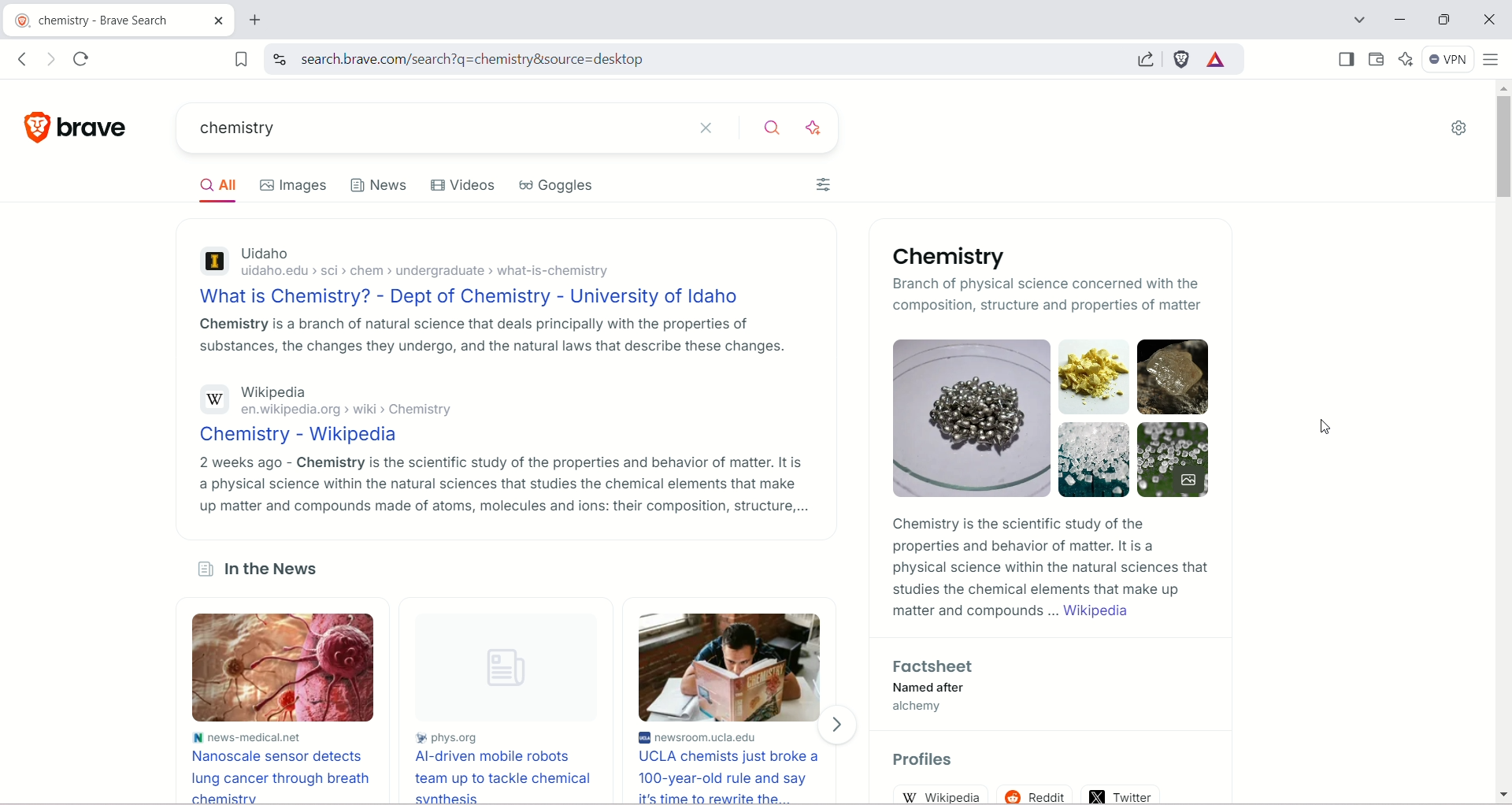 The height and width of the screenshot is (805, 1512). I want to click on 100-year old rule link, so click(730, 777).